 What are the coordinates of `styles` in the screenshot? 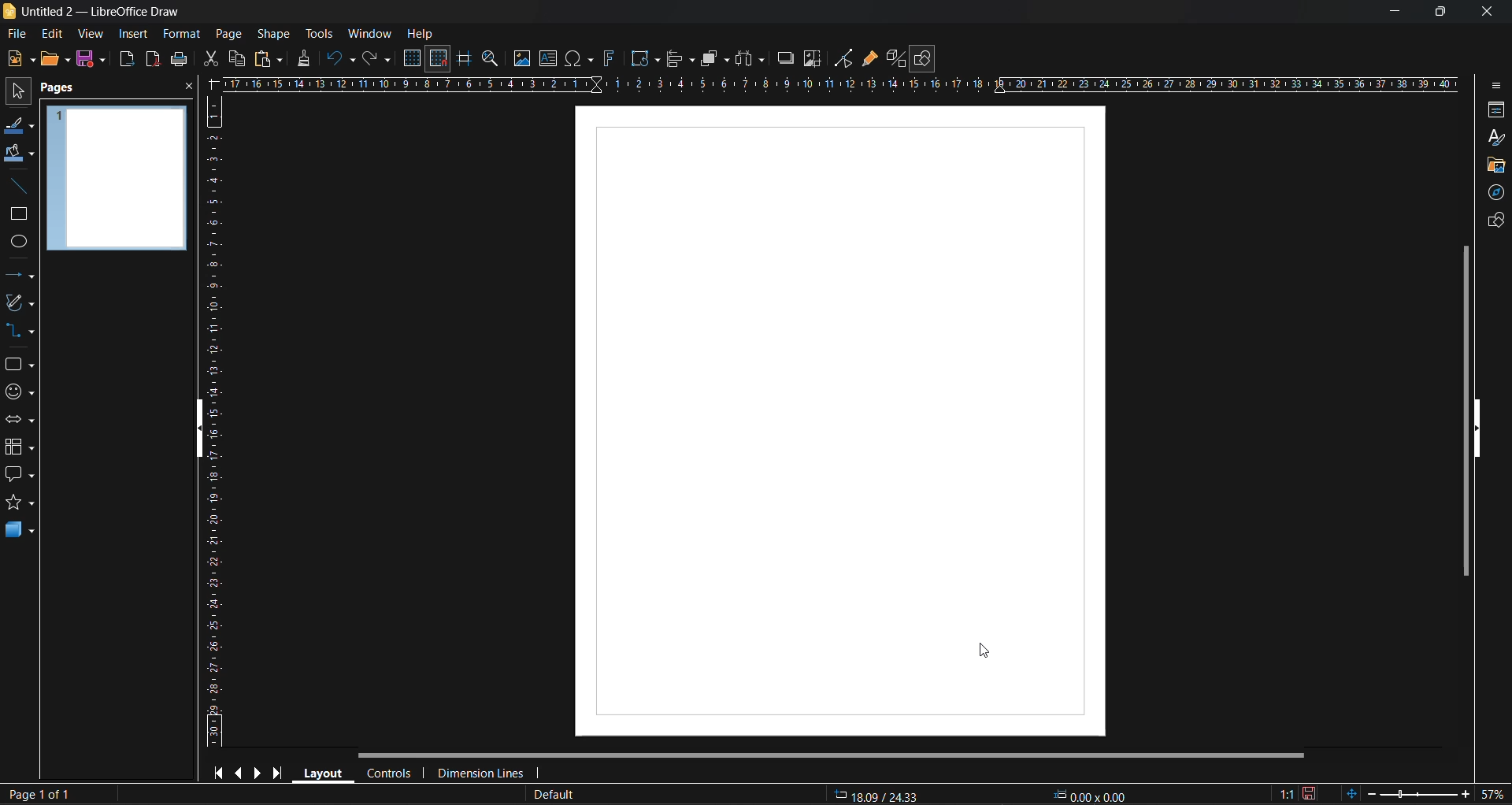 It's located at (1496, 139).